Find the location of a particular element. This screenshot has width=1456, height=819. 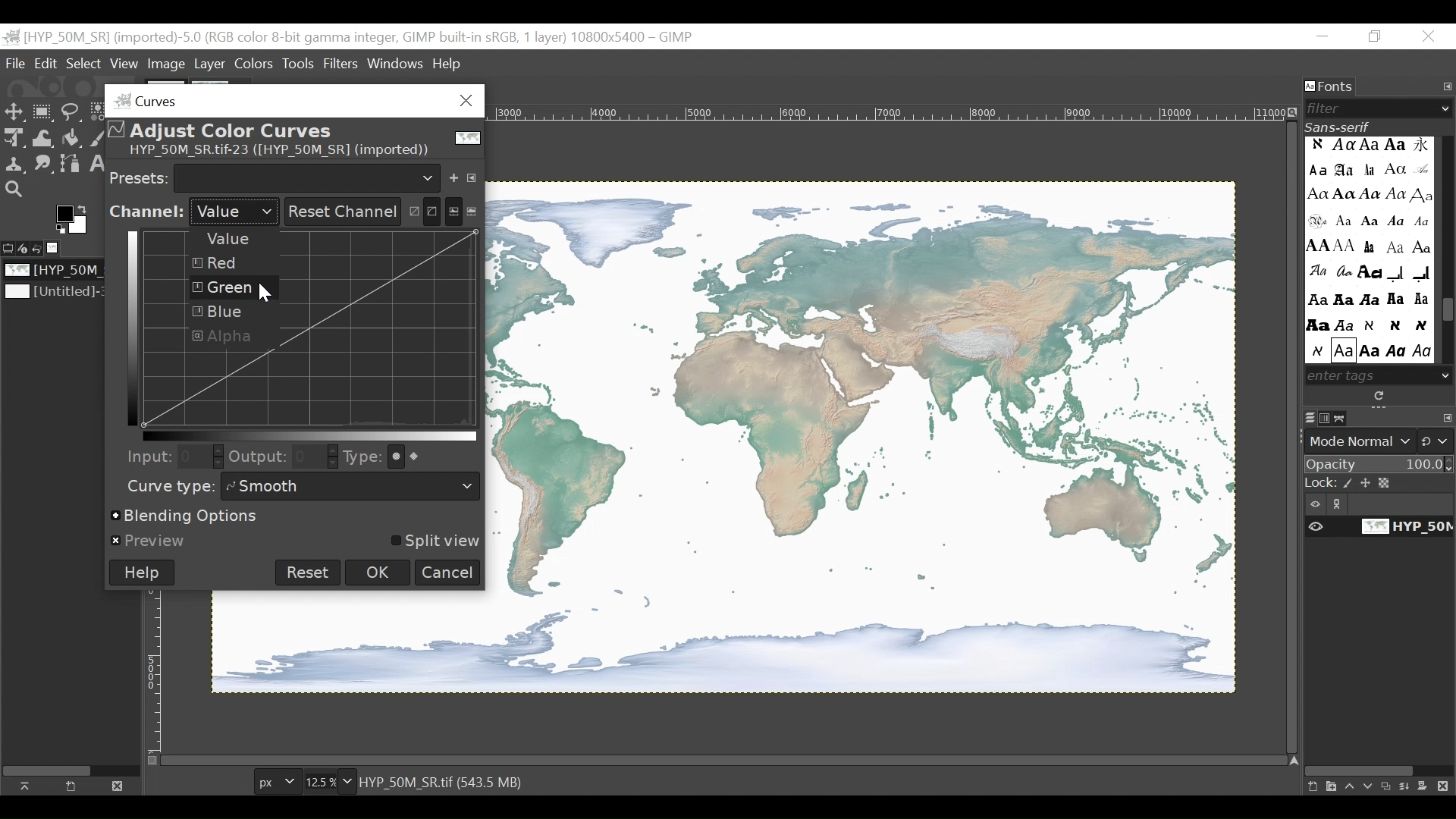

Scroll down is located at coordinates (1446, 375).